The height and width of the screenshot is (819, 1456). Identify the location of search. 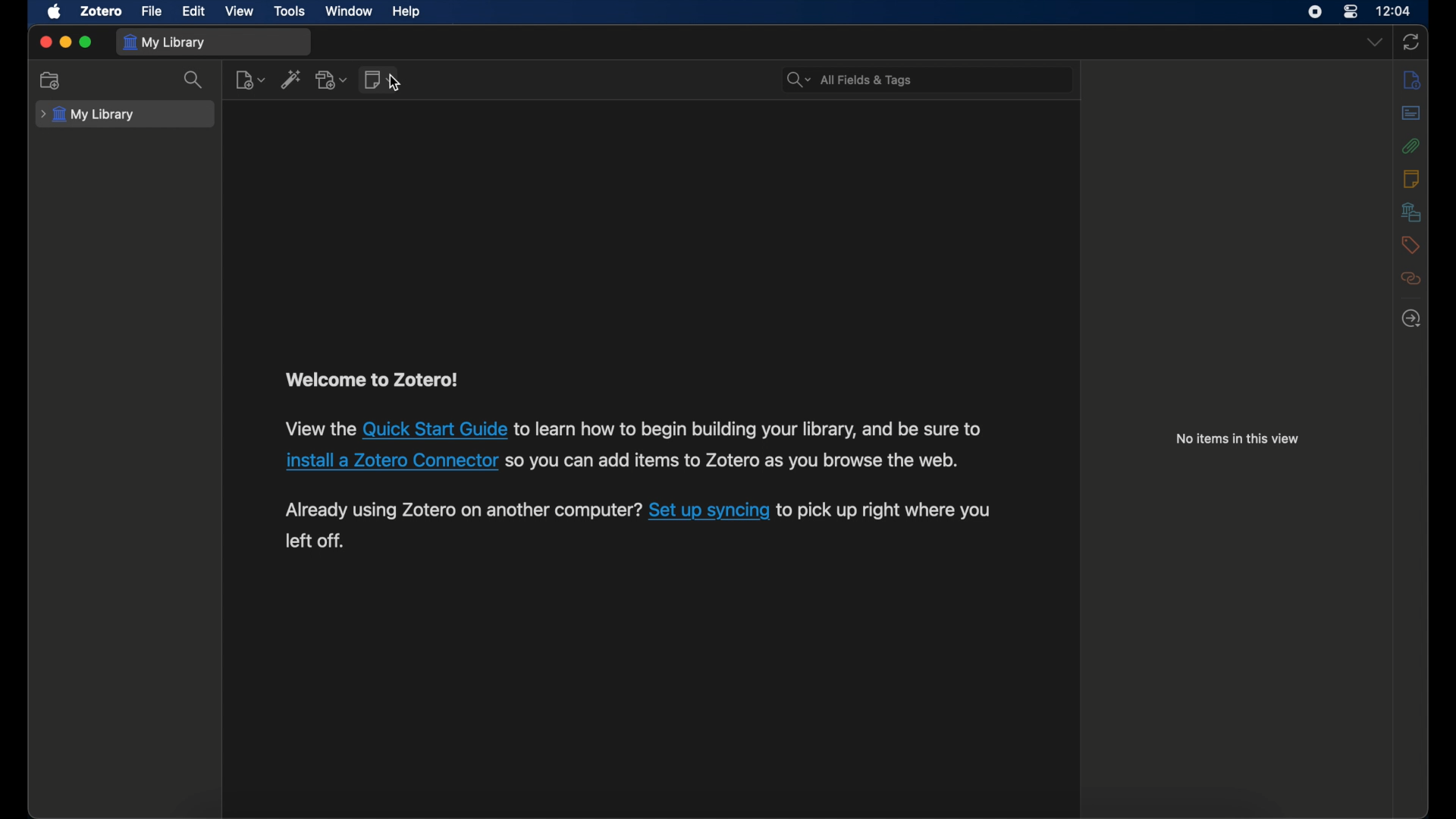
(194, 80).